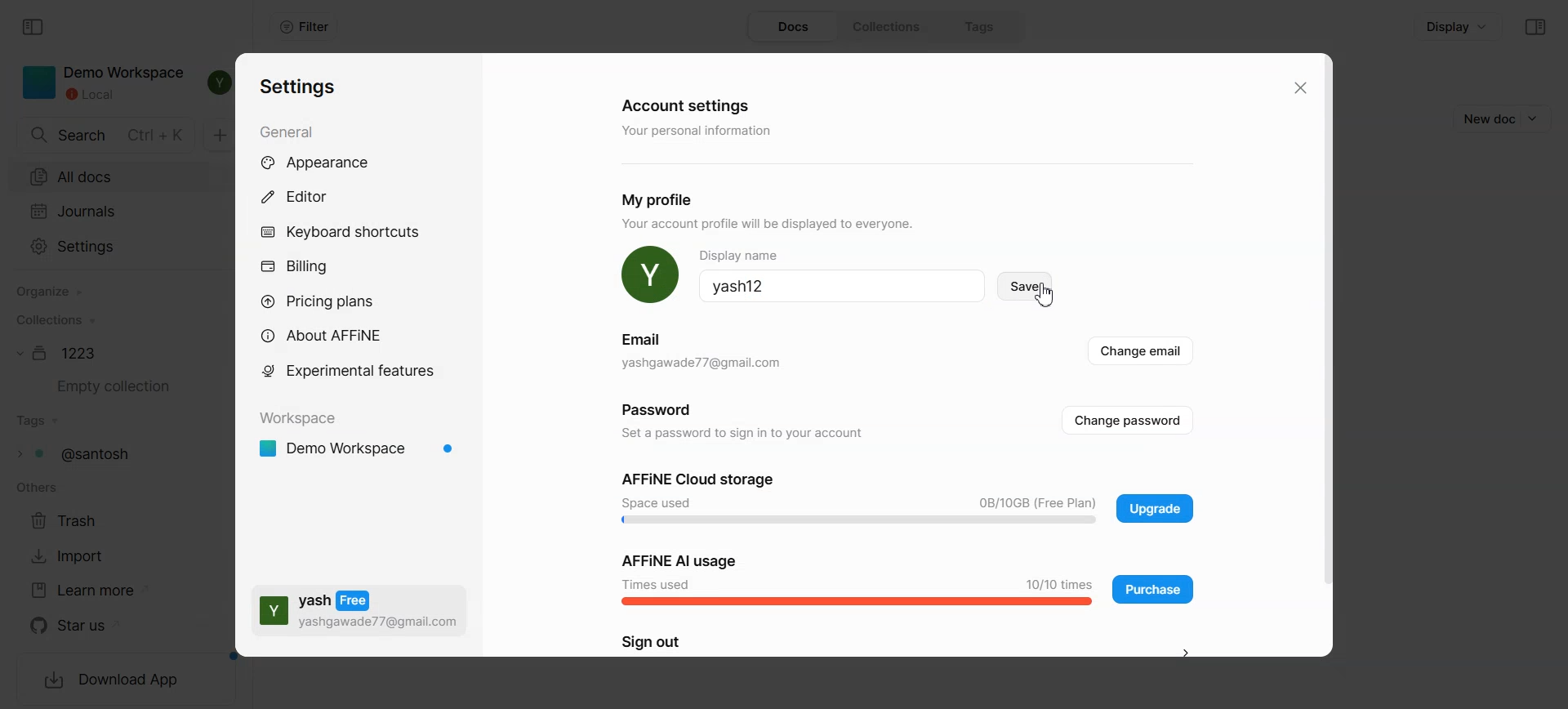  What do you see at coordinates (857, 577) in the screenshot?
I see `Affine AI Usage ` at bounding box center [857, 577].